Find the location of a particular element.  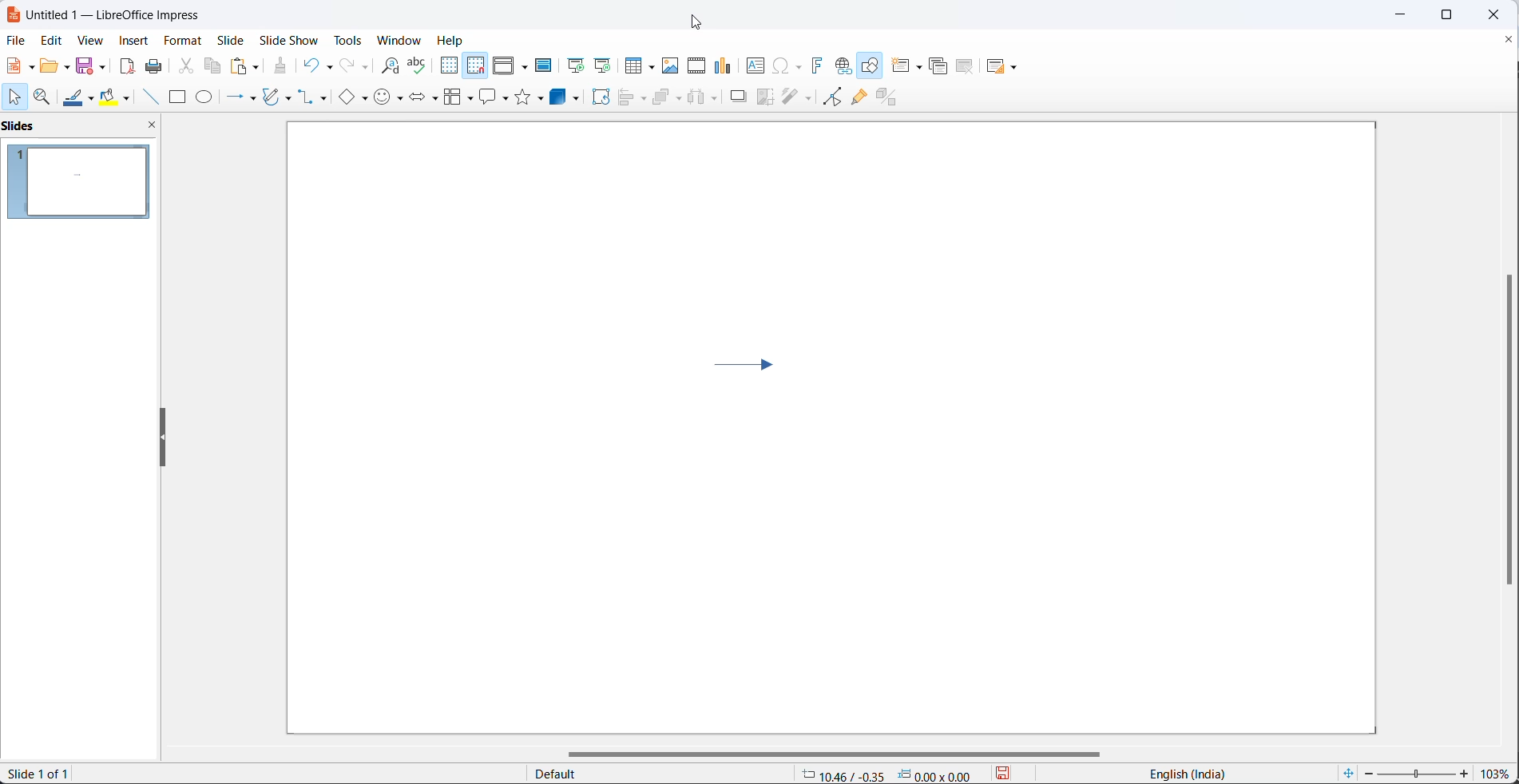

zoom and pan is located at coordinates (43, 97).